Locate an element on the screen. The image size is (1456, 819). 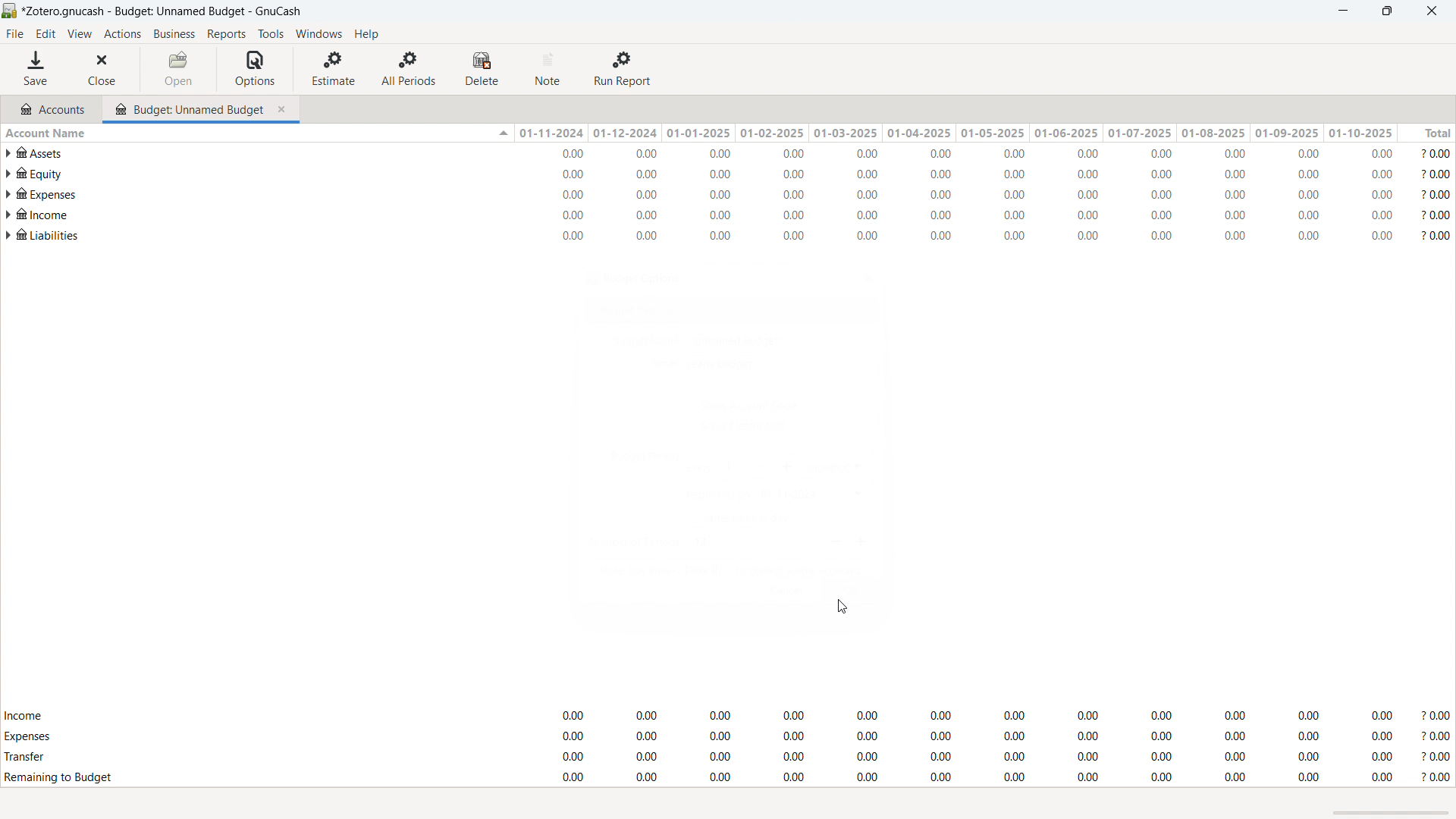
tools is located at coordinates (271, 33).